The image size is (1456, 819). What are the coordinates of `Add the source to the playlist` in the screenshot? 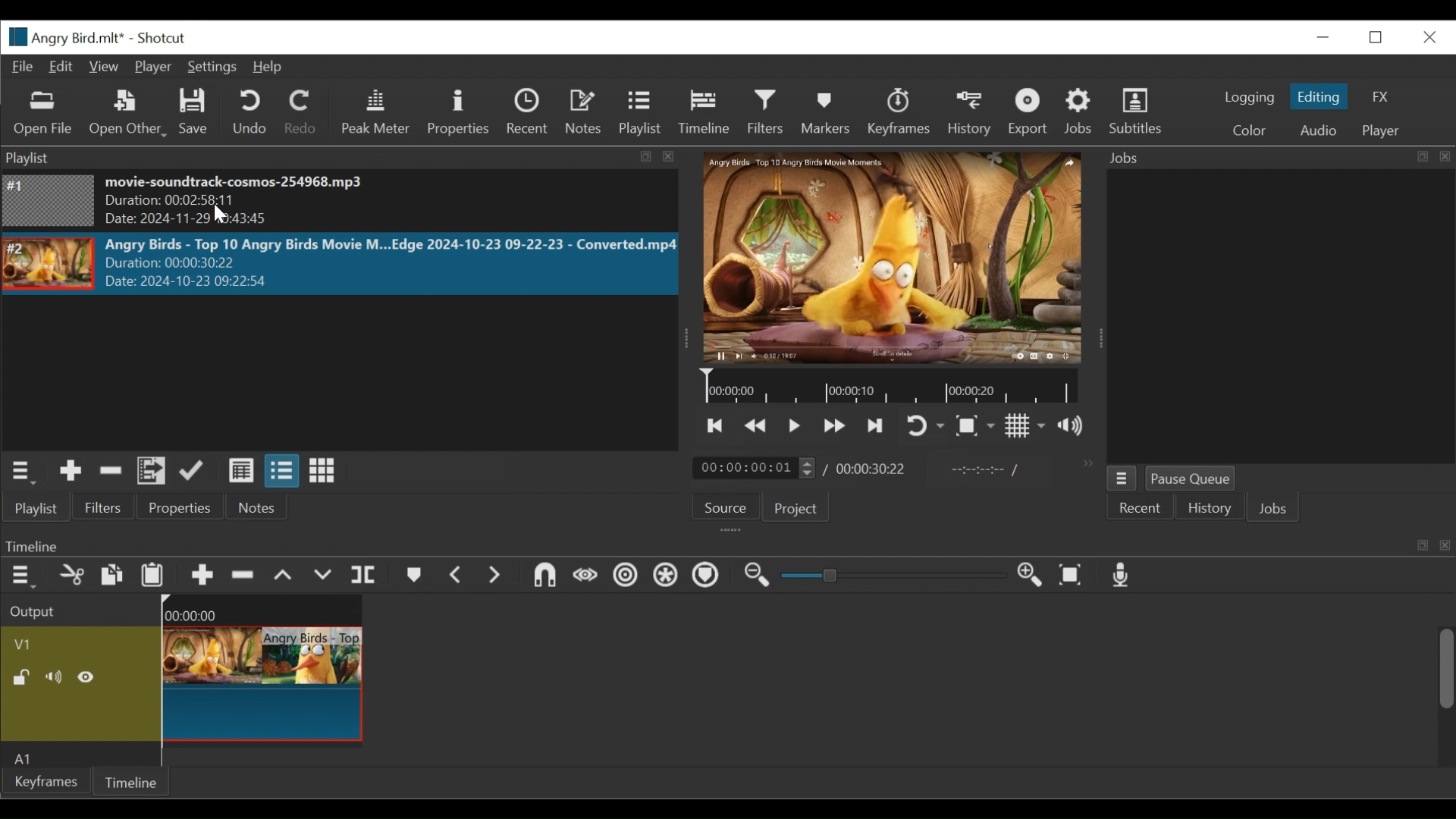 It's located at (71, 471).